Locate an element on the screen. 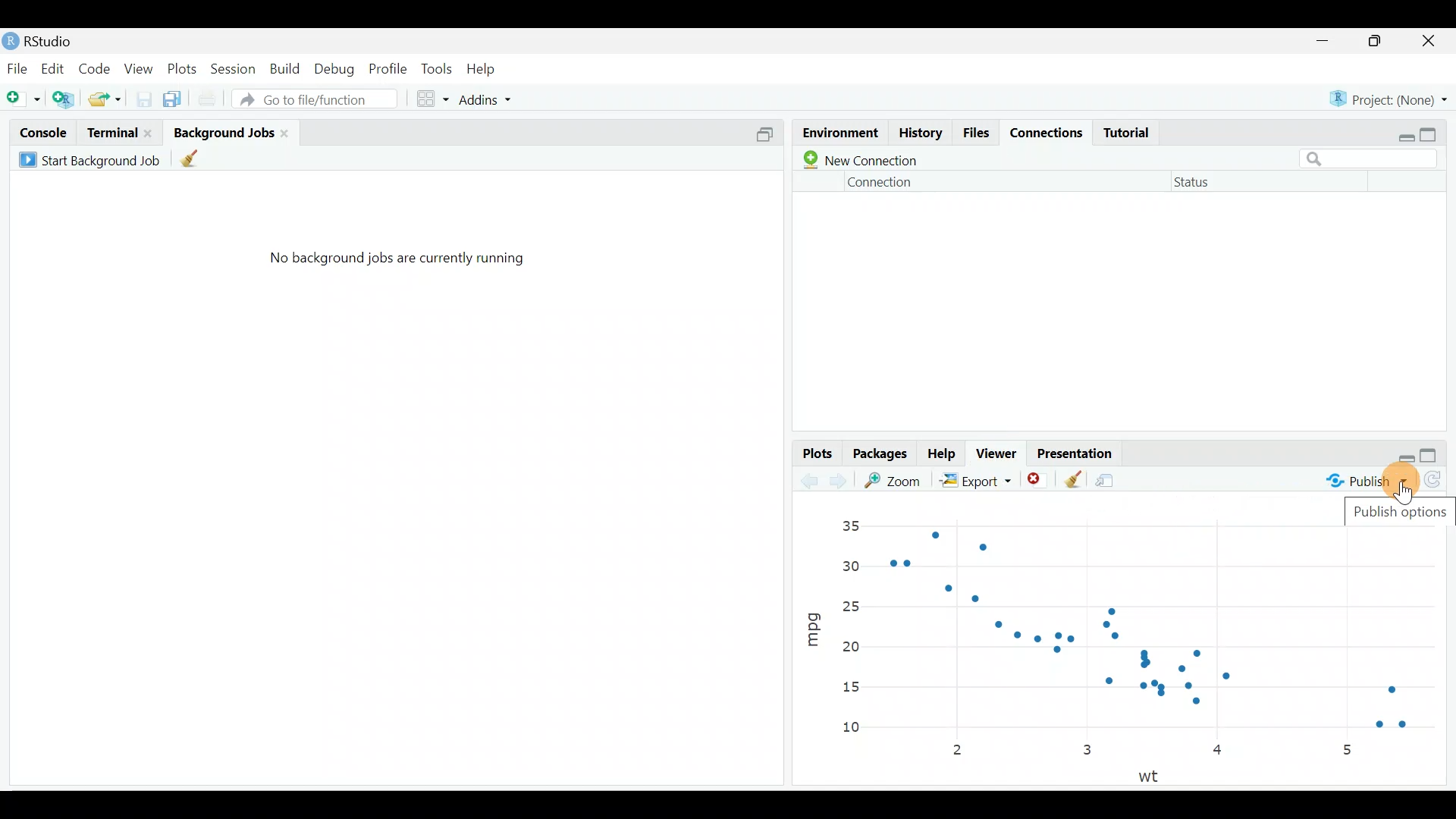 The height and width of the screenshot is (819, 1456). Publish is located at coordinates (1369, 480).